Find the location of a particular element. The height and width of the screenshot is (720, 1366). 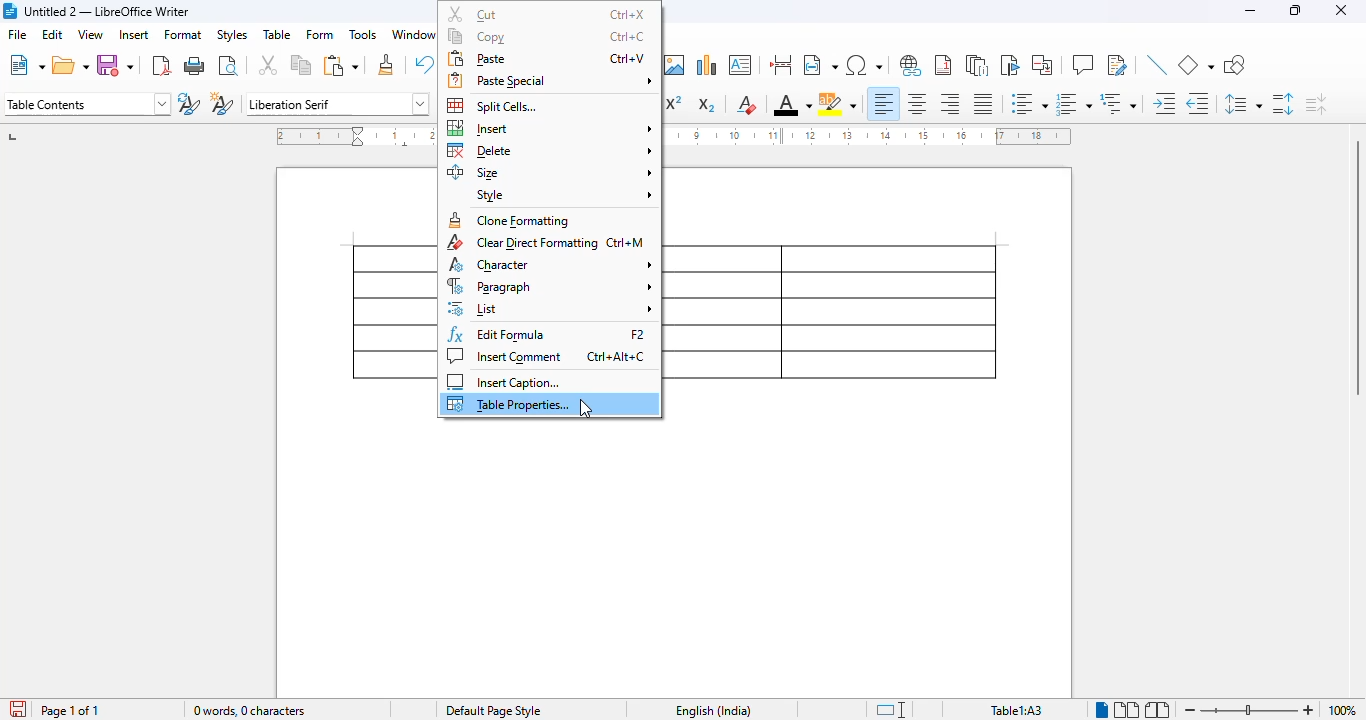

show draw functions is located at coordinates (1233, 64).